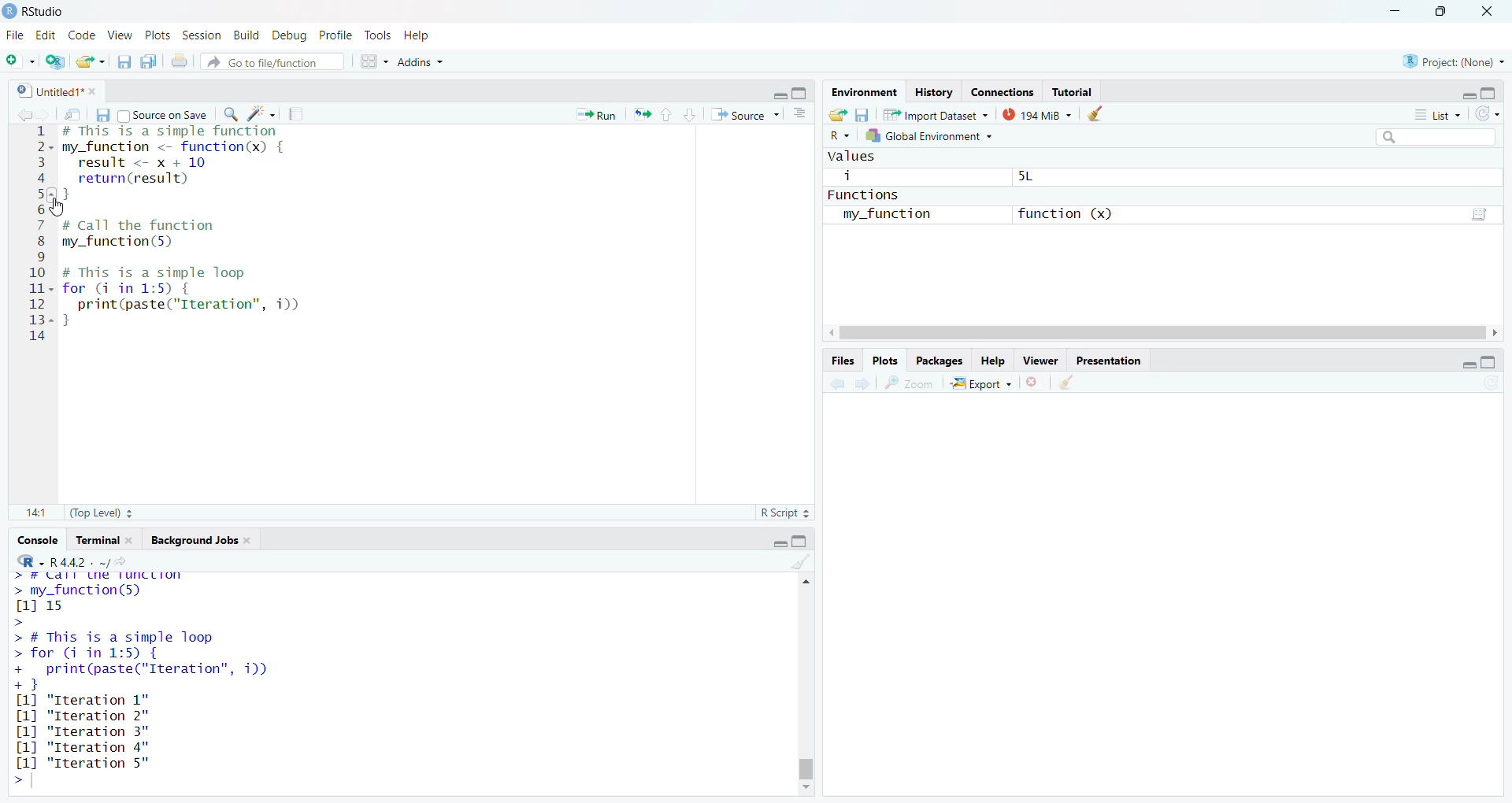  What do you see at coordinates (9, 11) in the screenshot?
I see `logo` at bounding box center [9, 11].